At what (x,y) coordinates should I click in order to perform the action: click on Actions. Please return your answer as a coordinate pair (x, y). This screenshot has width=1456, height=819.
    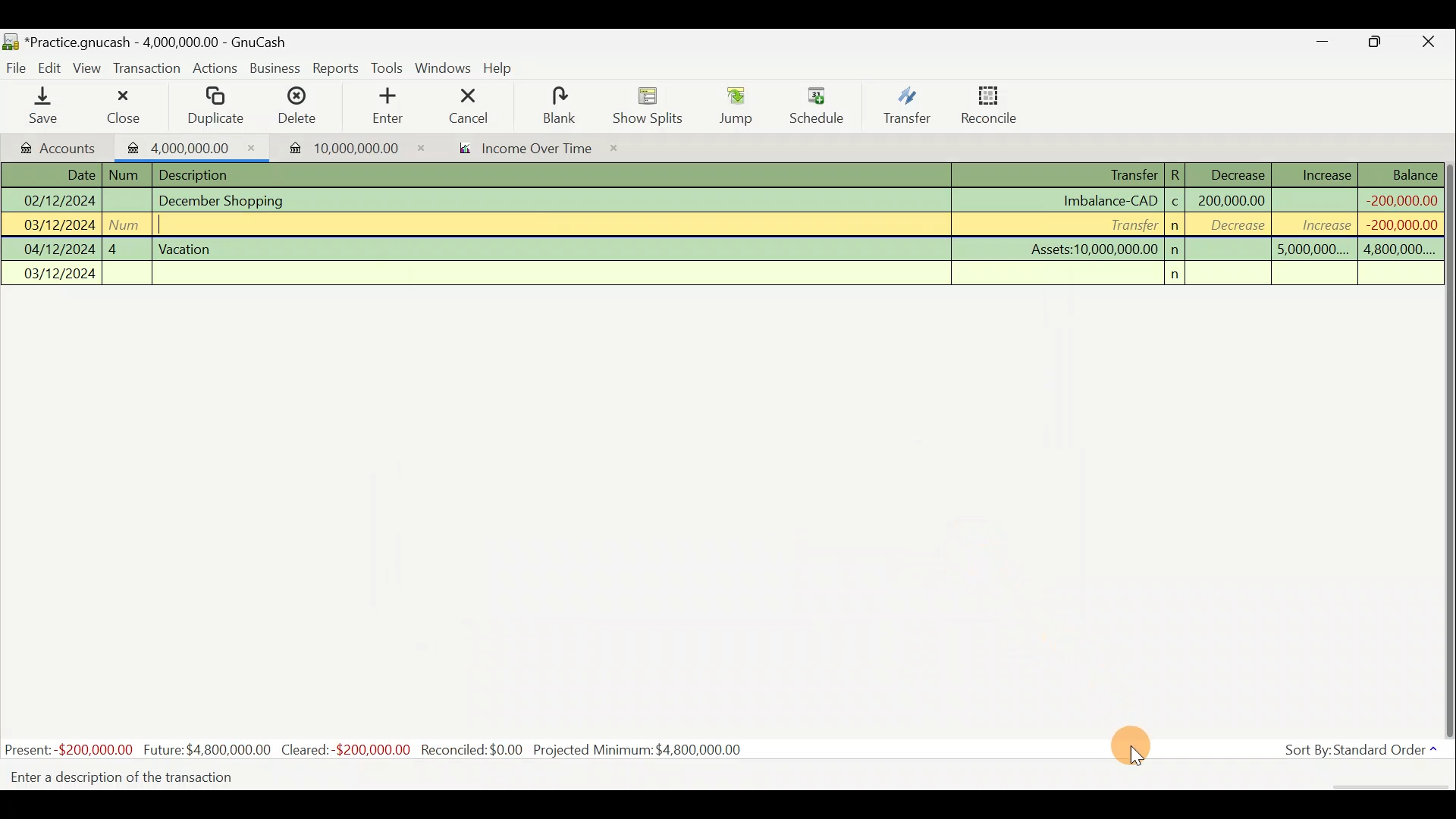
    Looking at the image, I should click on (217, 69).